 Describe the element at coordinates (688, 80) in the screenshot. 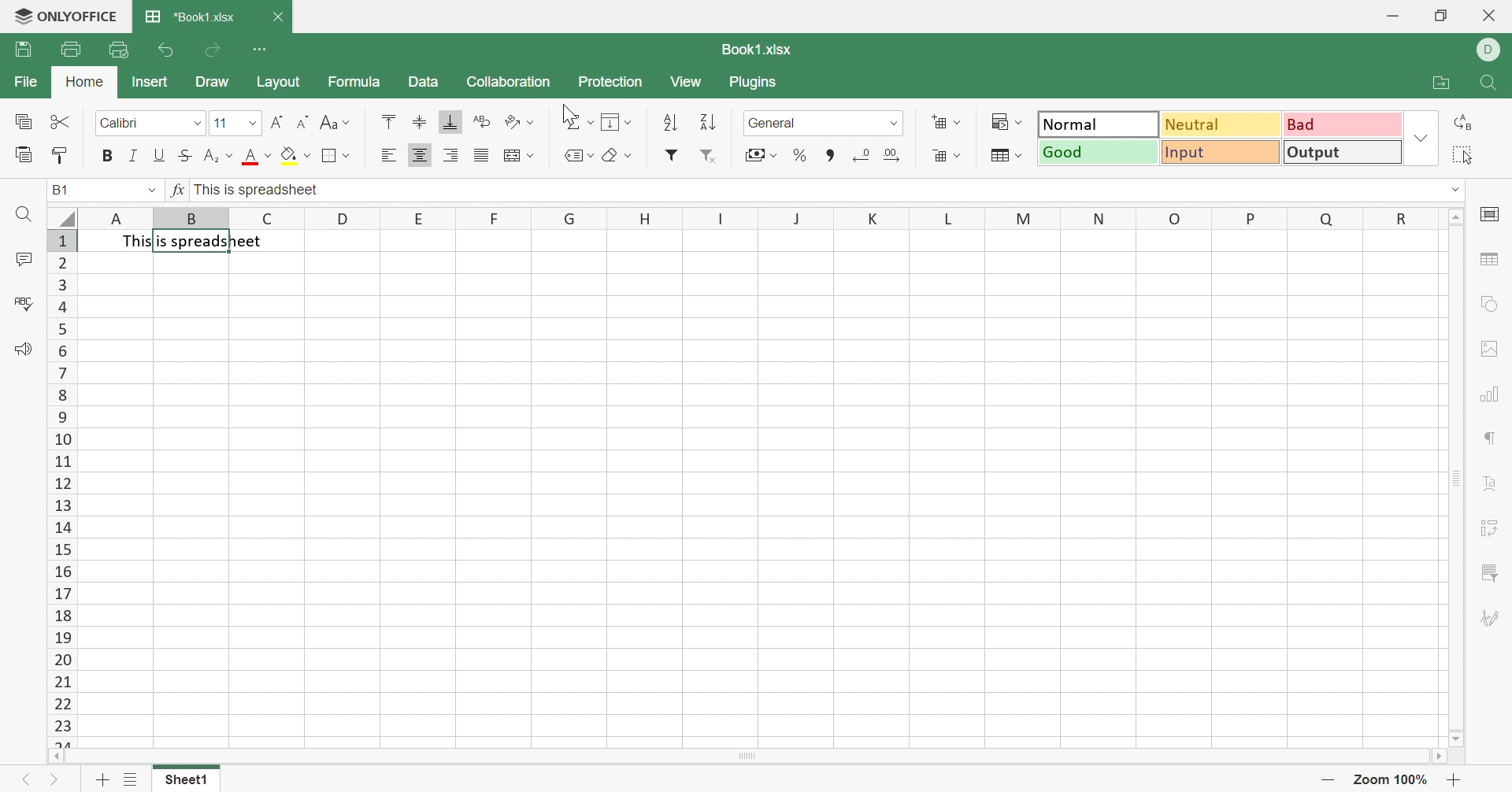

I see `View` at that location.